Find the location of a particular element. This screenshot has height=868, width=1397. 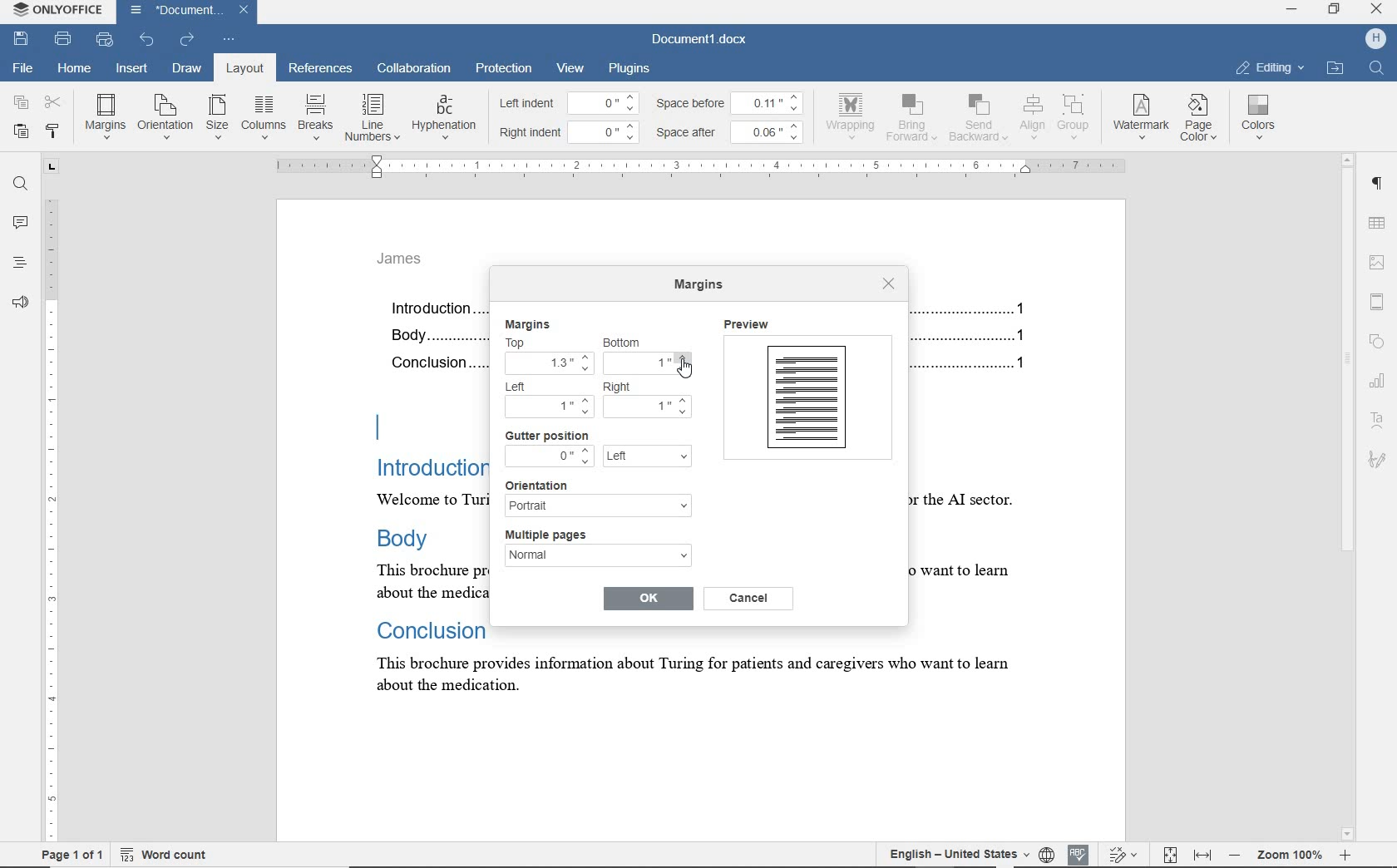

spell check is located at coordinates (1079, 853).